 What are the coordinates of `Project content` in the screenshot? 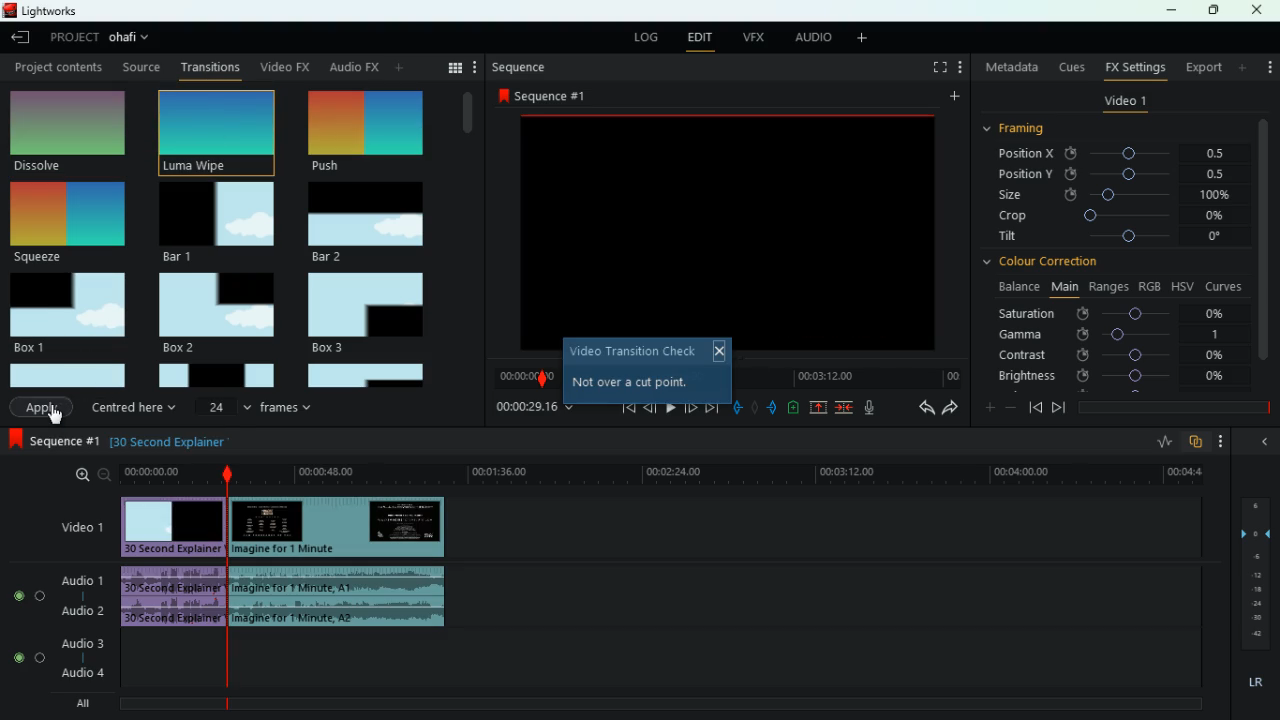 It's located at (57, 66).